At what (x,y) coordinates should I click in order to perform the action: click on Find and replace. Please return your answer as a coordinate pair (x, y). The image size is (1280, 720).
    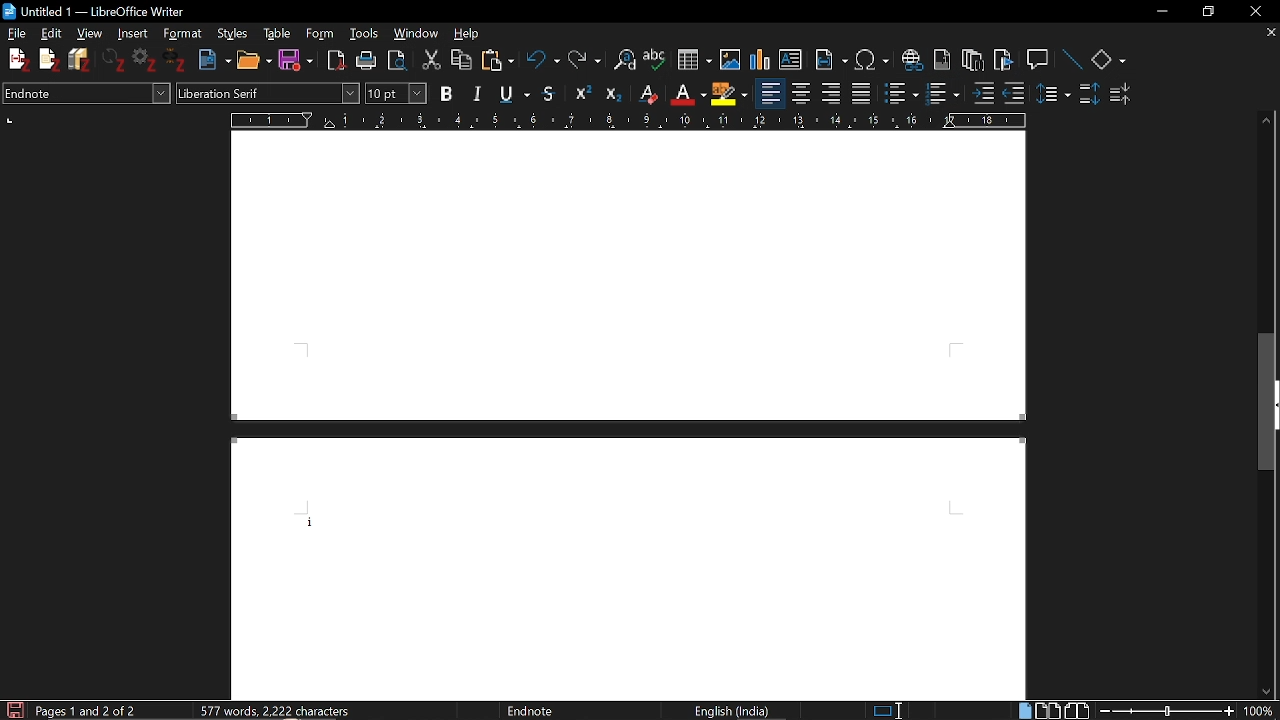
    Looking at the image, I should click on (625, 62).